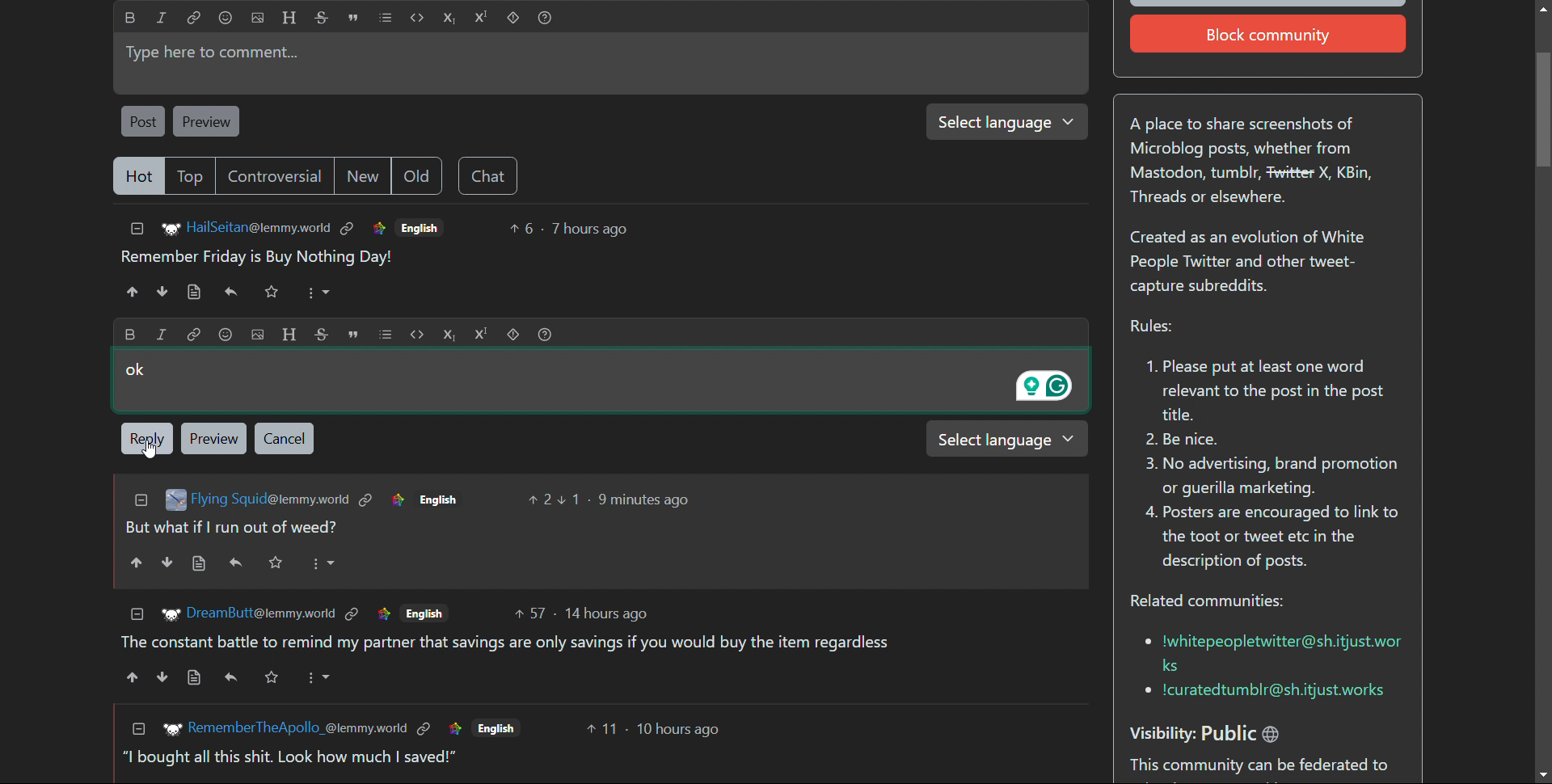  I want to click on Rules:, so click(1149, 327).